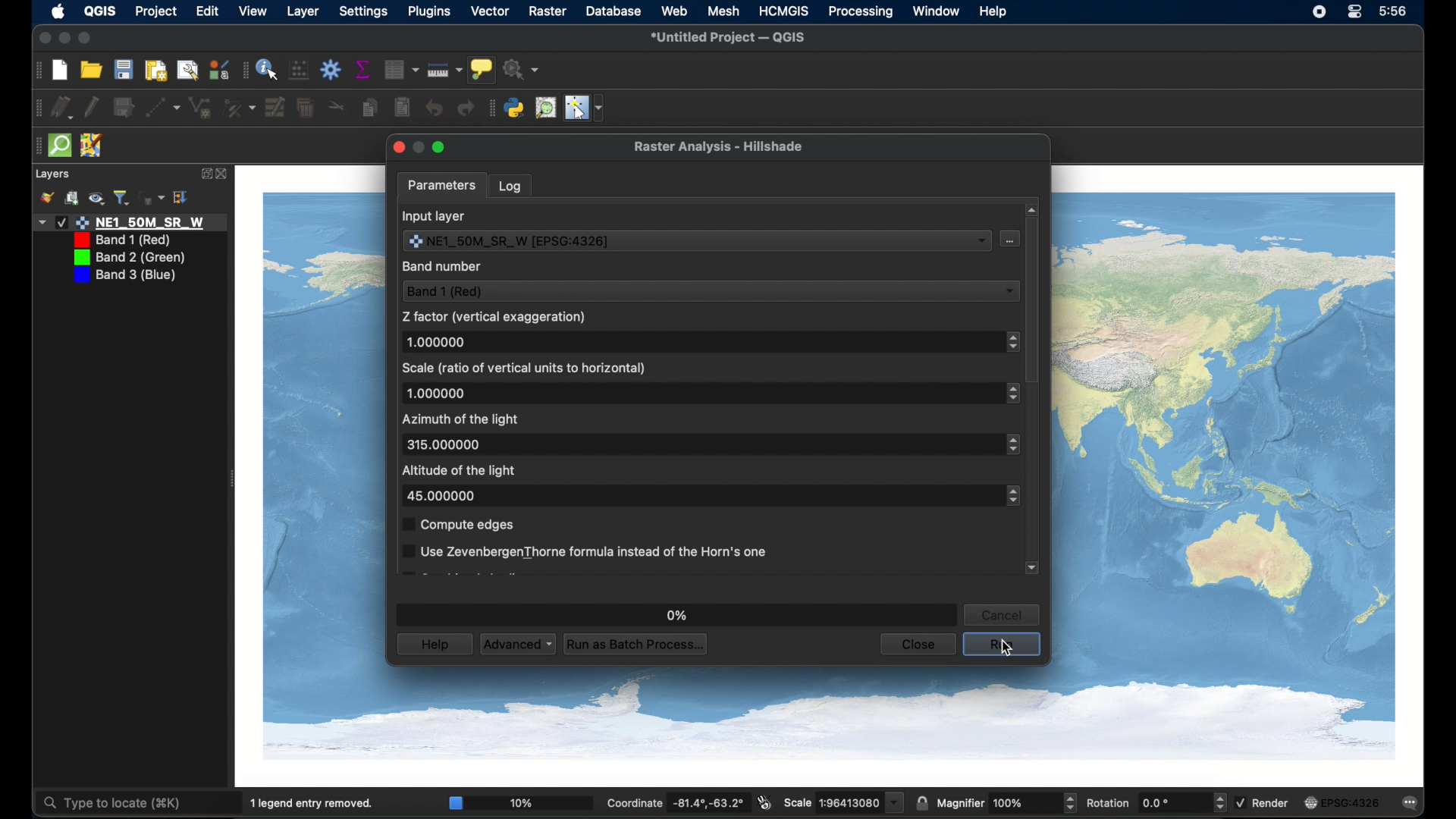 The height and width of the screenshot is (819, 1456). What do you see at coordinates (184, 198) in the screenshot?
I see `expand` at bounding box center [184, 198].